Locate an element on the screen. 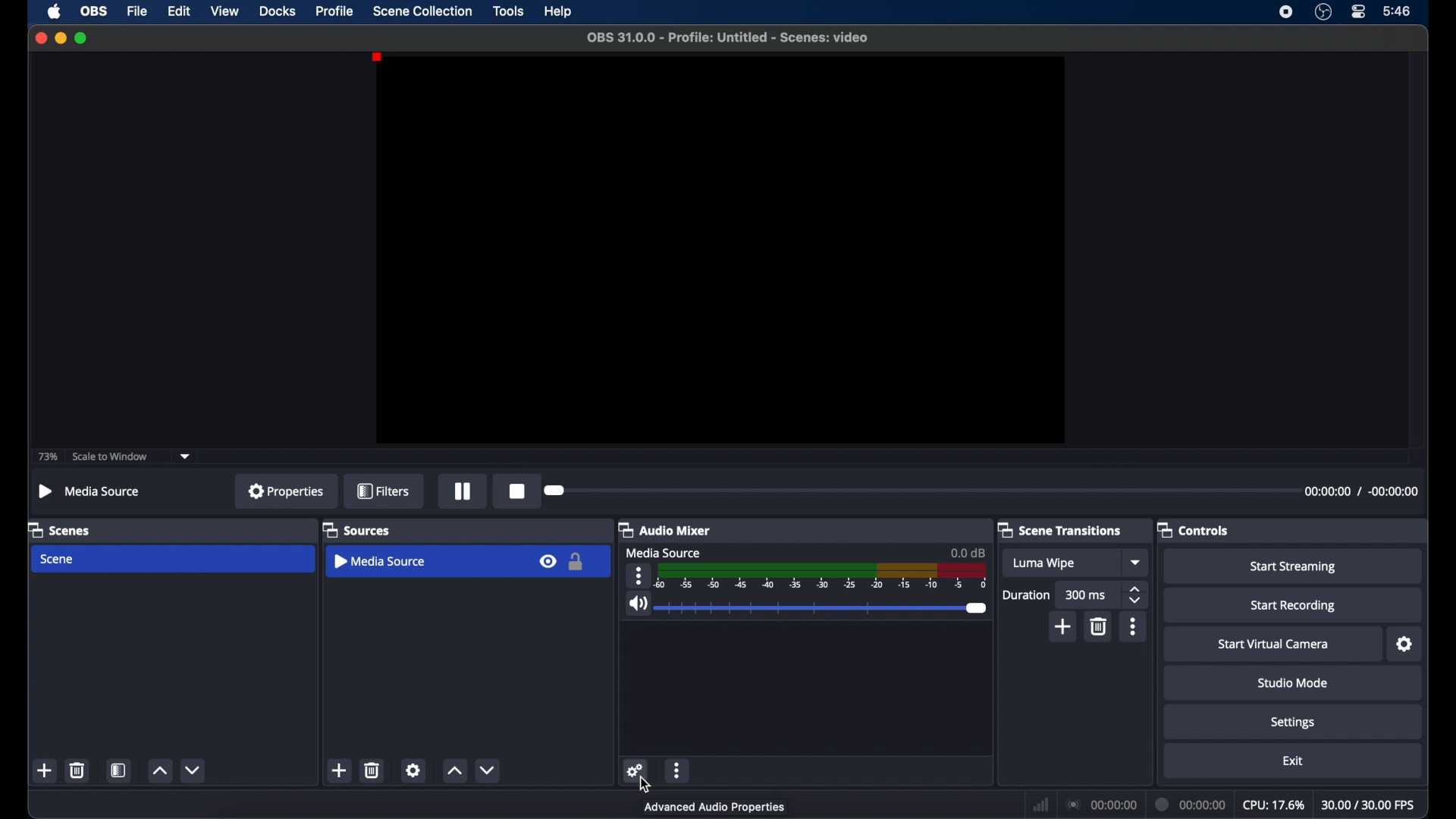  audio mixer is located at coordinates (664, 532).